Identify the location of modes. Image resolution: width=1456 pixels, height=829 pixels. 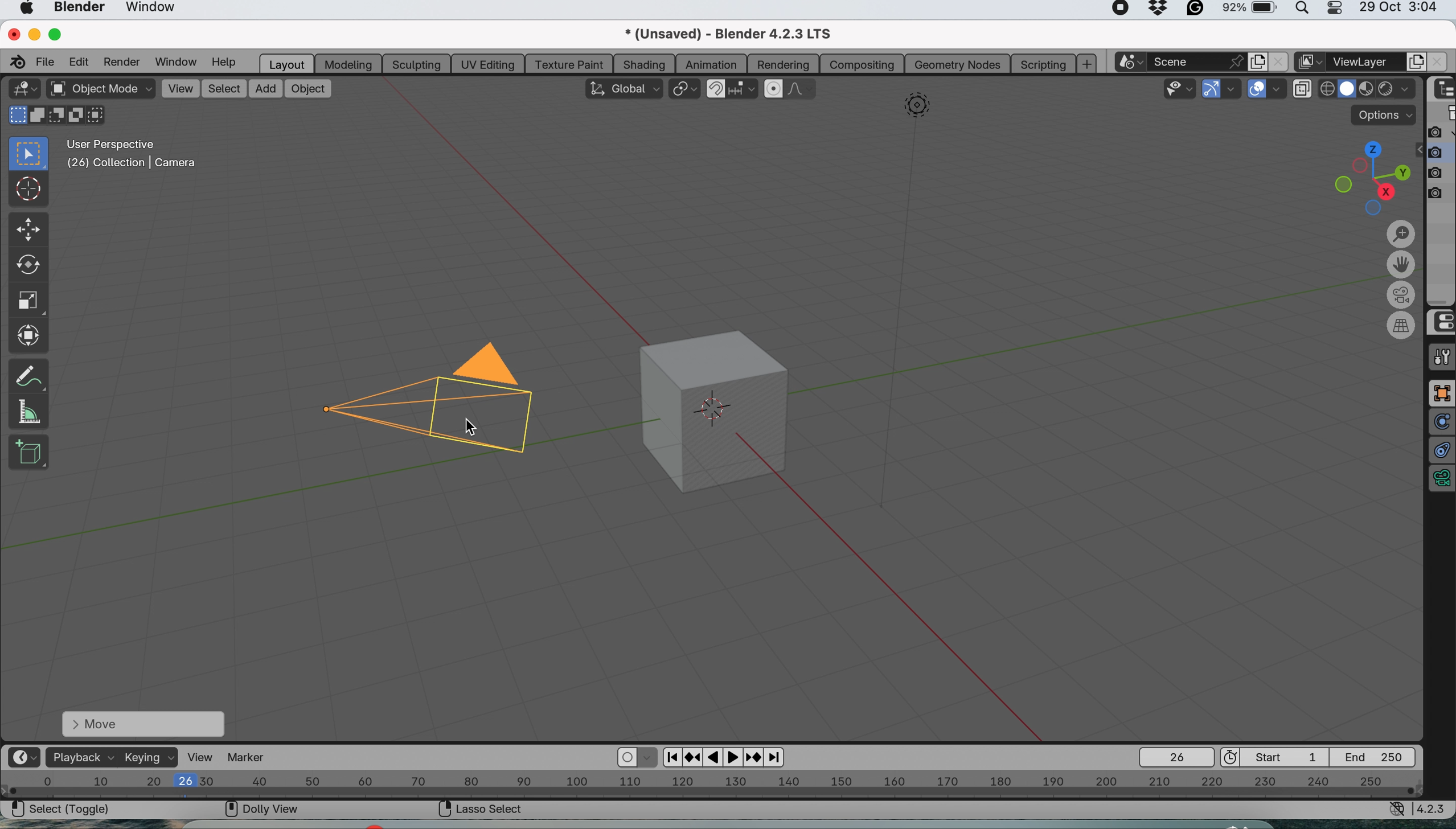
(58, 116).